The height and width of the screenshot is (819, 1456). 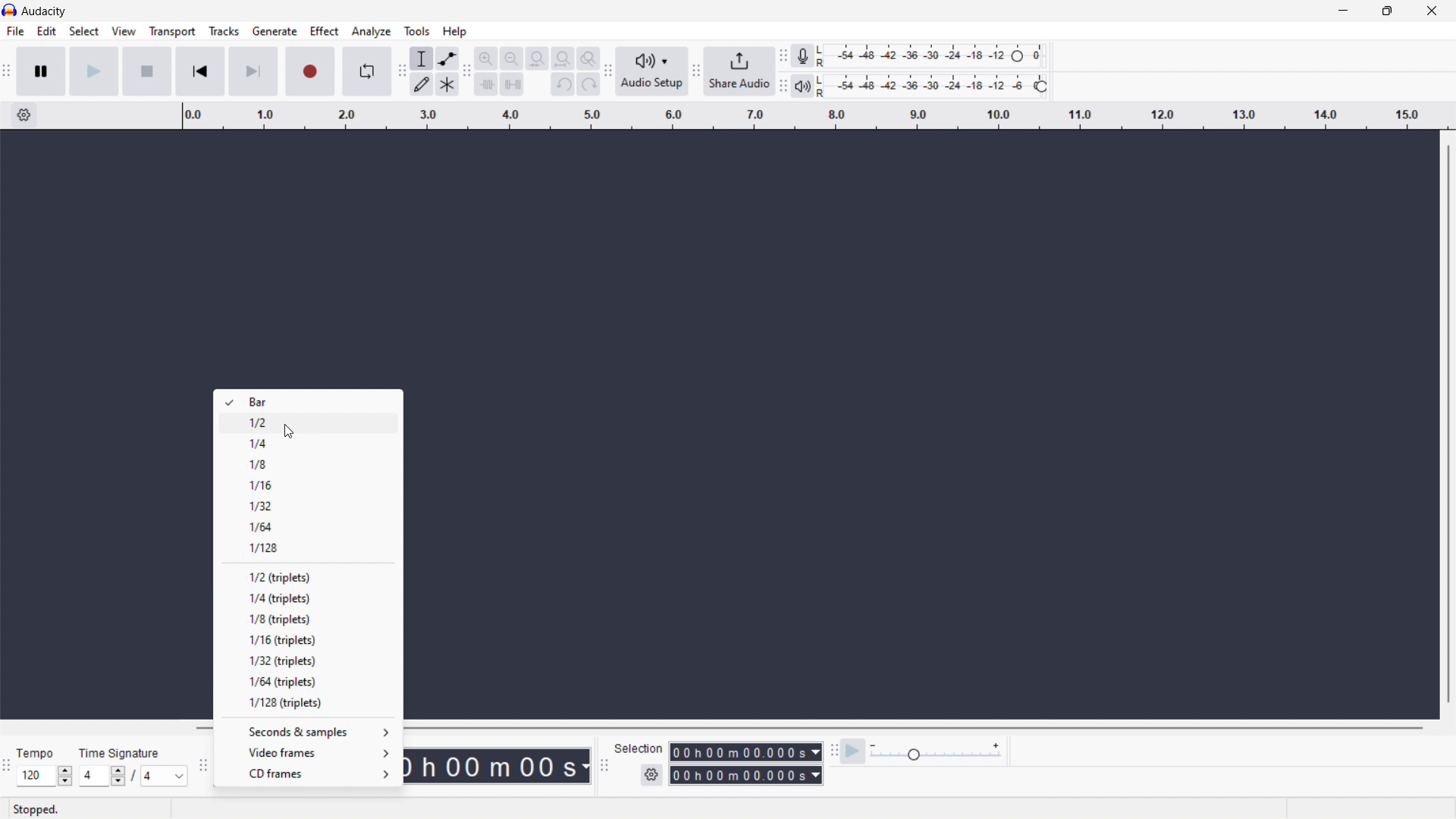 I want to click on Stopped, so click(x=36, y=809).